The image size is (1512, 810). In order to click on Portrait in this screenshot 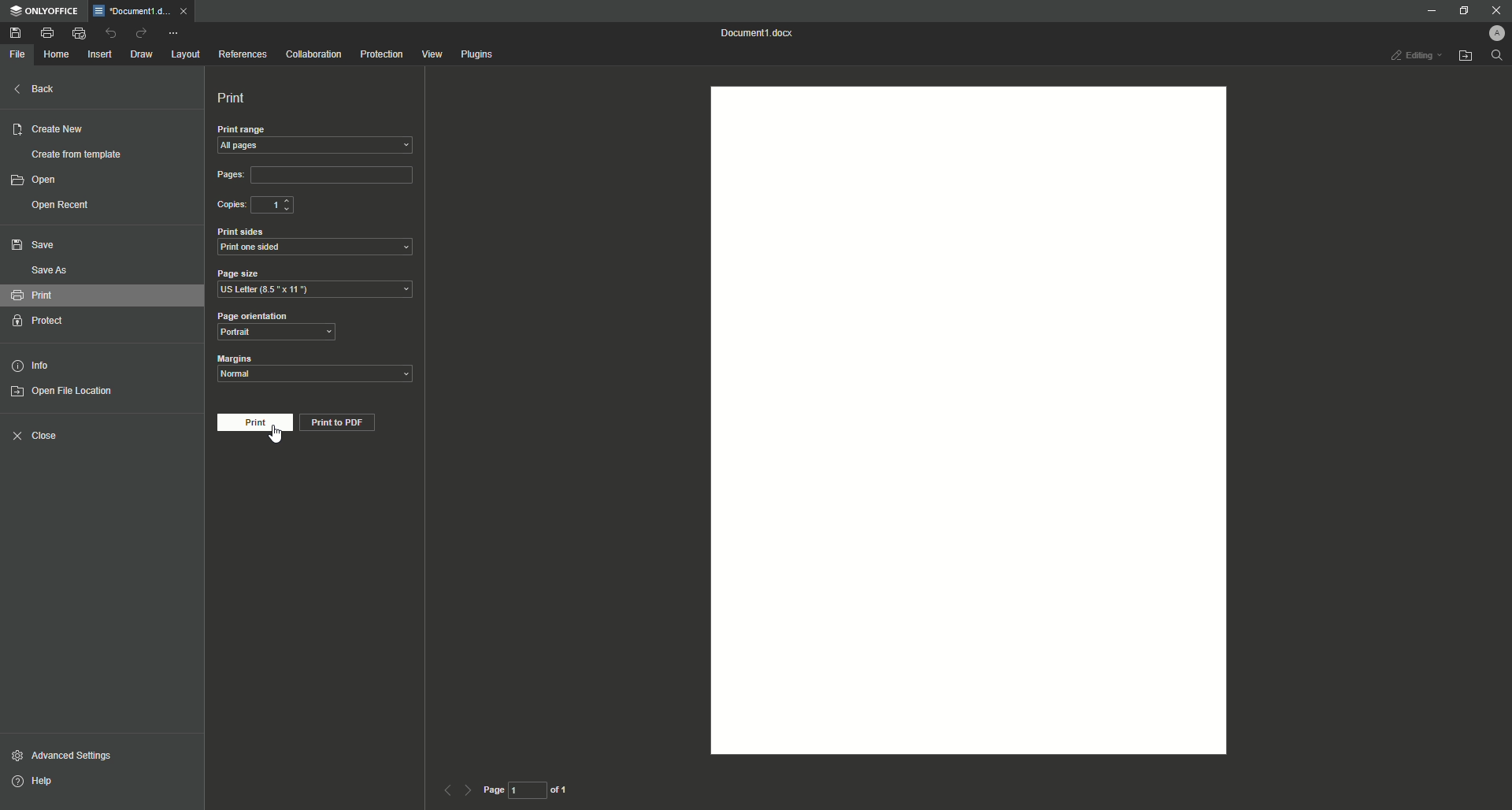, I will do `click(275, 333)`.